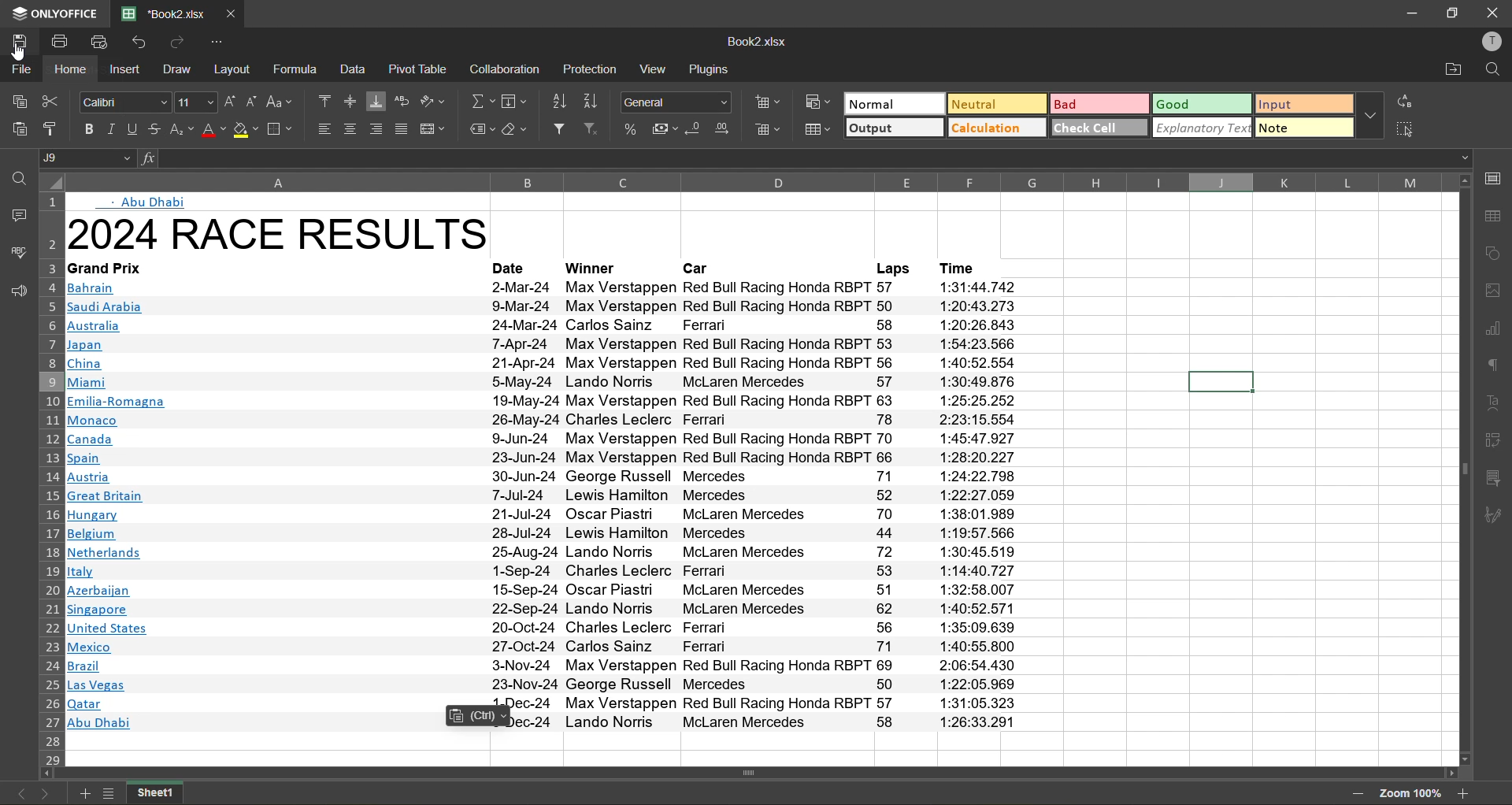 The image size is (1512, 805). Describe the element at coordinates (748, 181) in the screenshot. I see `column name` at that location.